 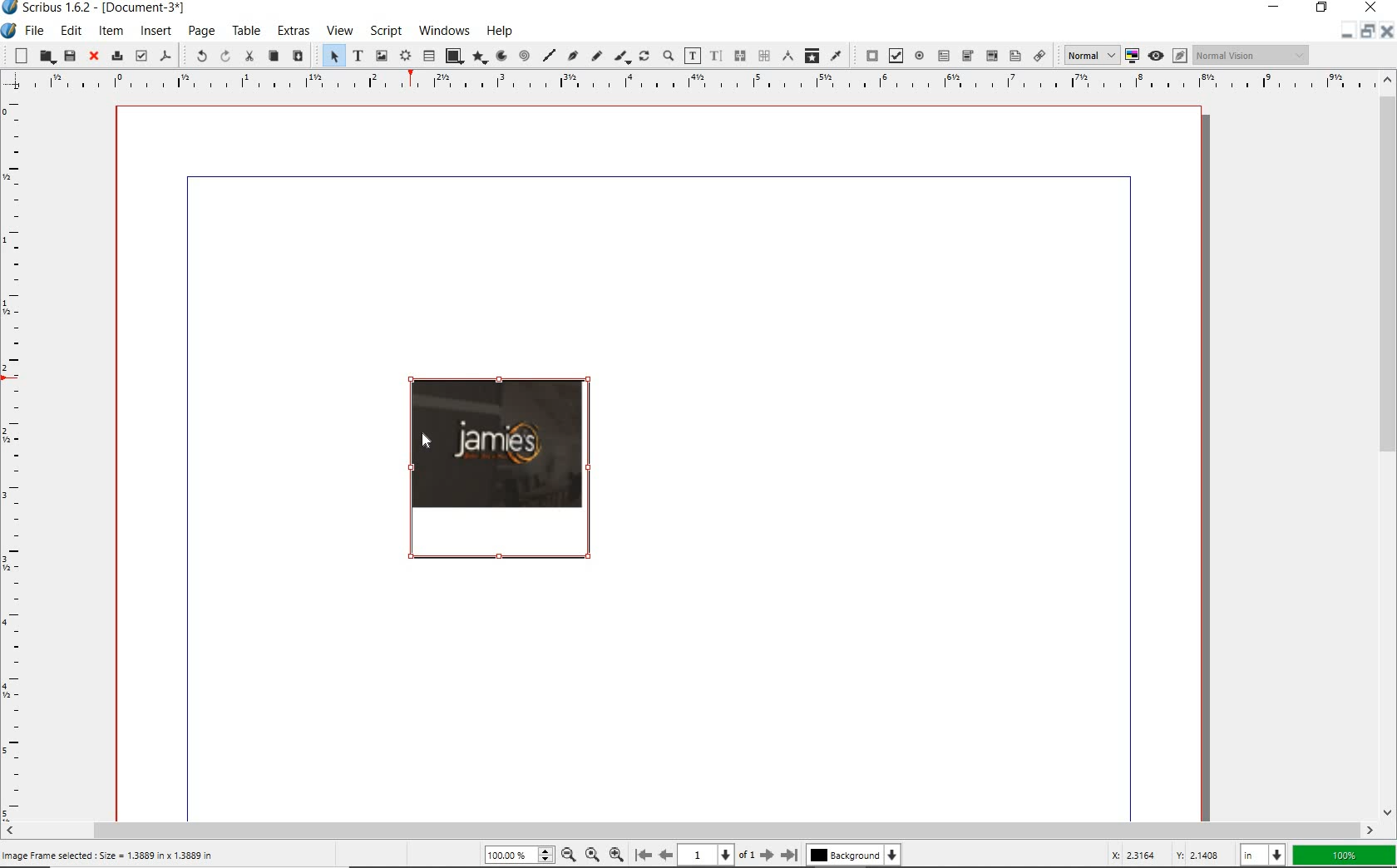 I want to click on RULER, so click(x=684, y=81).